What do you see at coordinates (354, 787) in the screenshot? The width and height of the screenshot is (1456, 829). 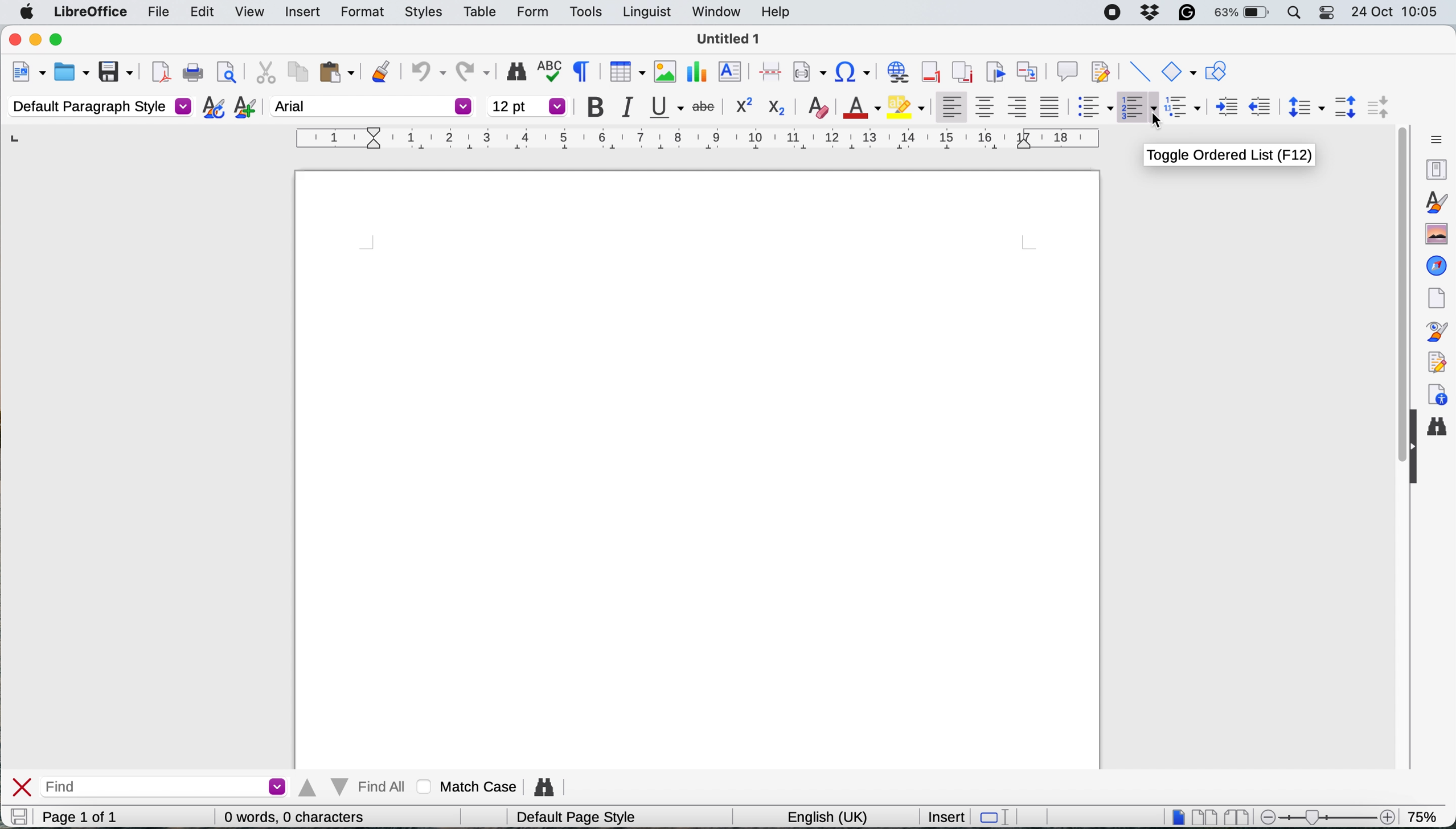 I see `find all` at bounding box center [354, 787].